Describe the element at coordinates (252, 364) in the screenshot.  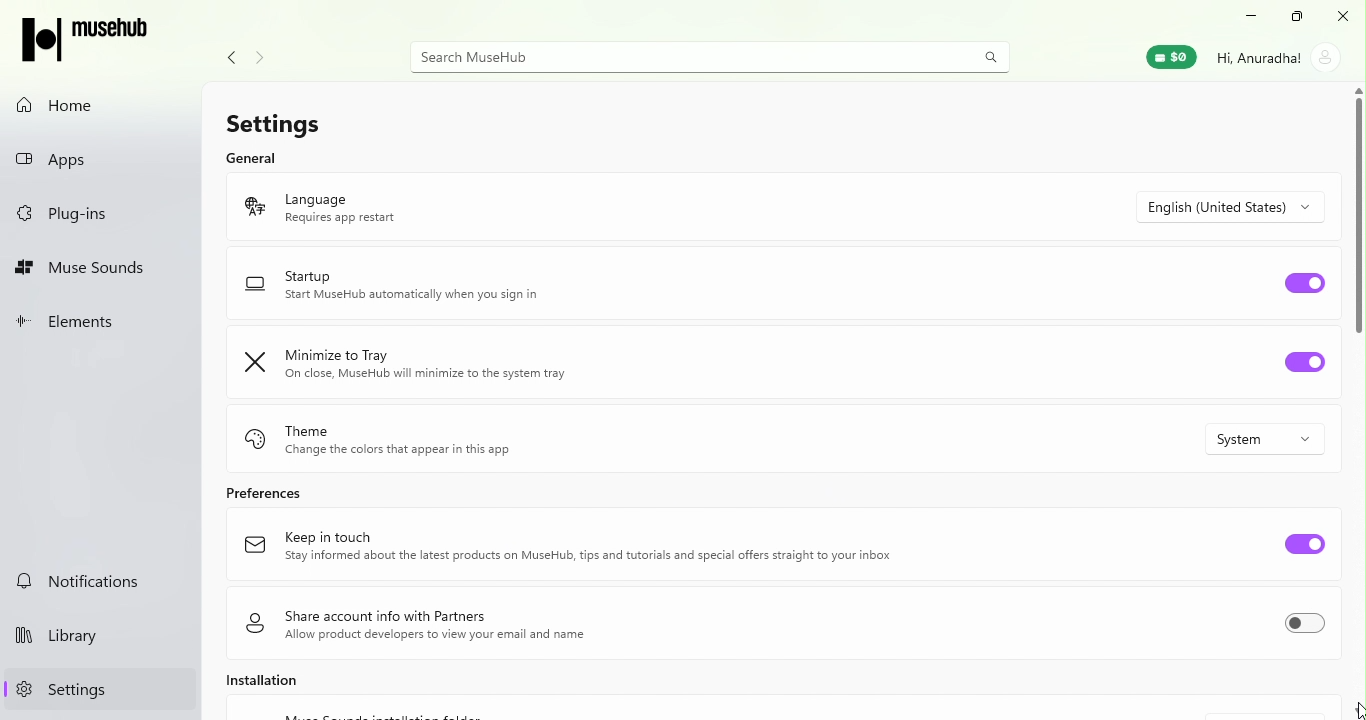
I see `logo` at that location.